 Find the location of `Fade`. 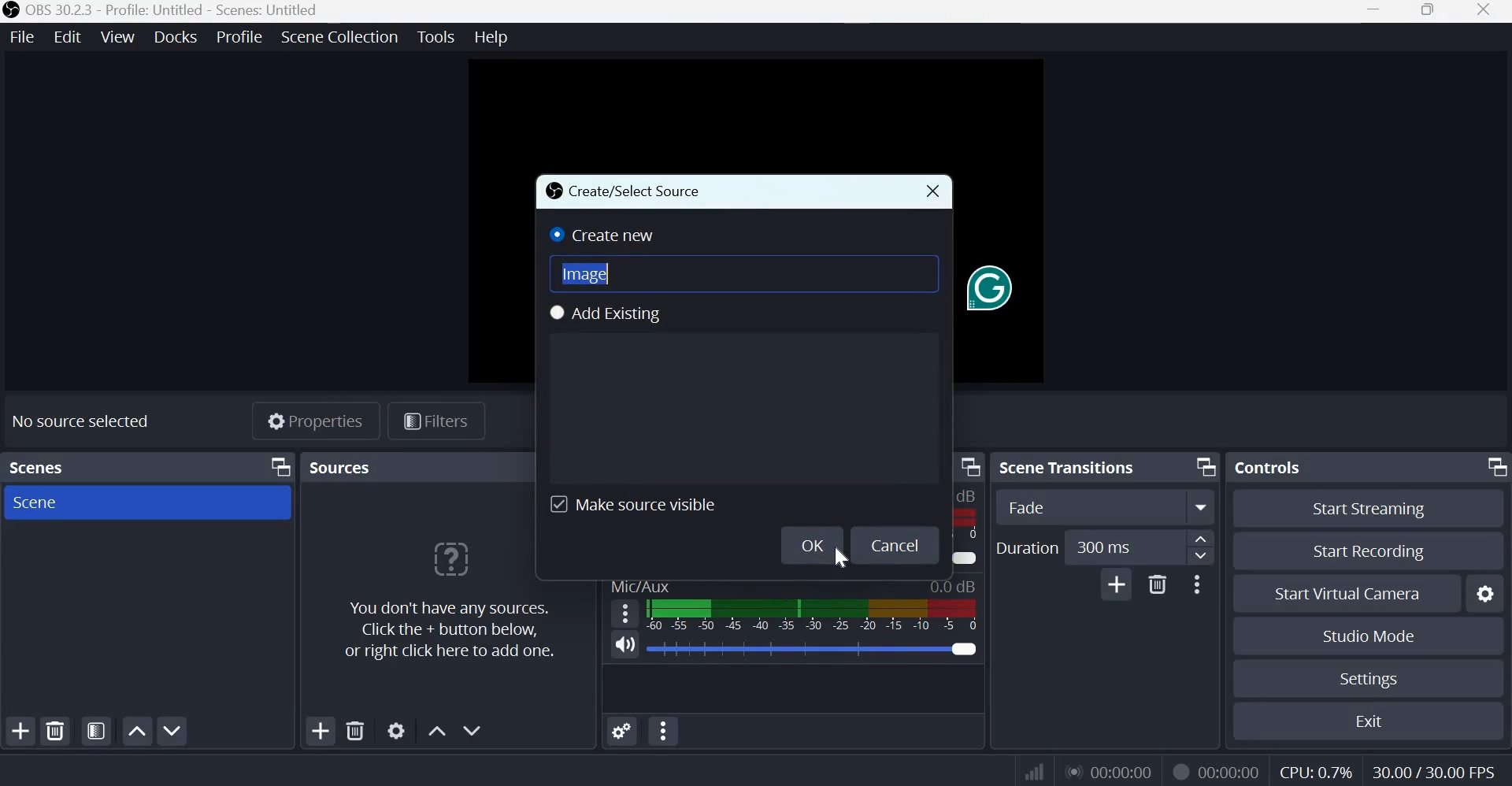

Fade is located at coordinates (1084, 506).